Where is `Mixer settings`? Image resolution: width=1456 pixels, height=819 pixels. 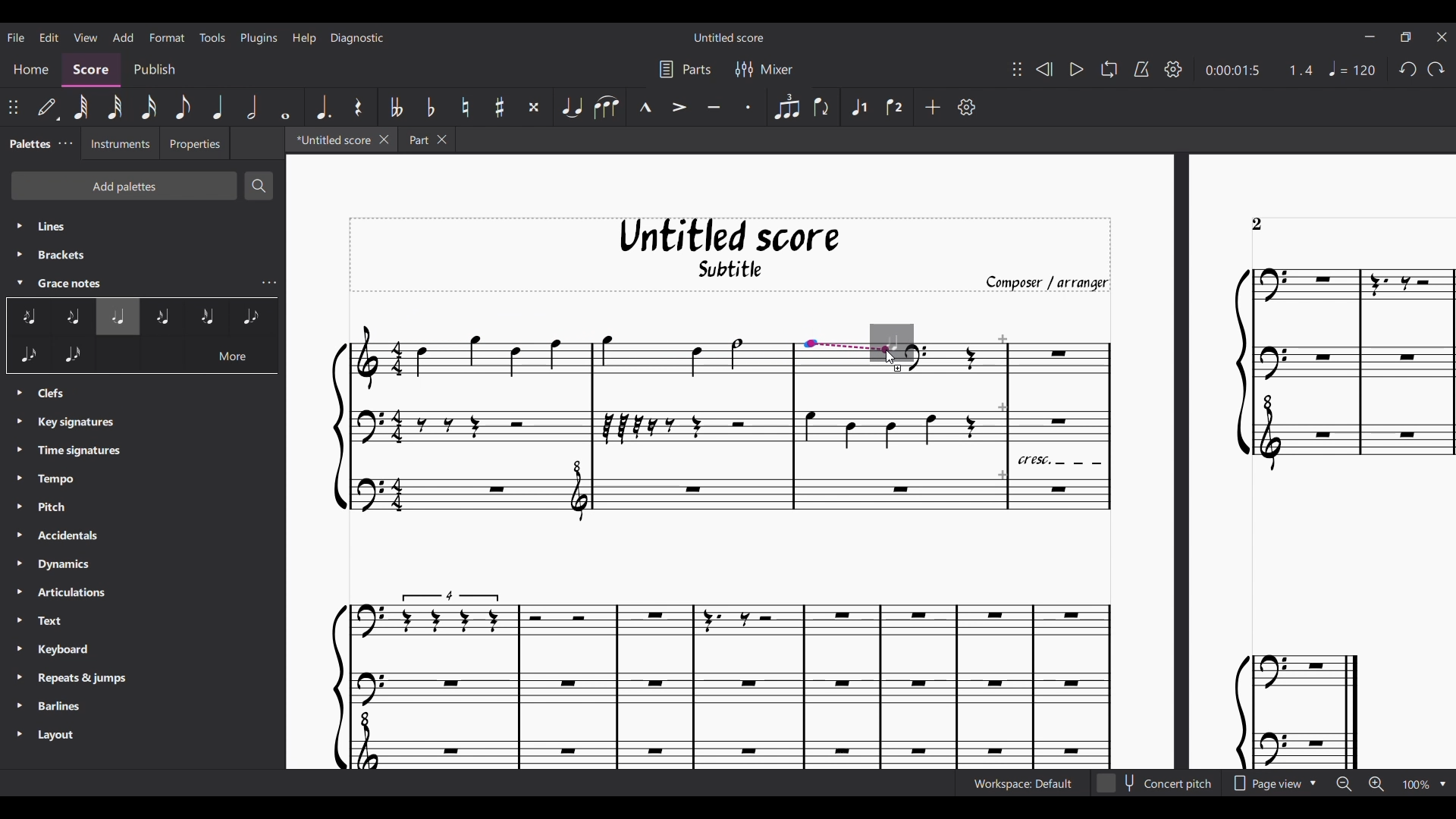 Mixer settings is located at coordinates (764, 69).